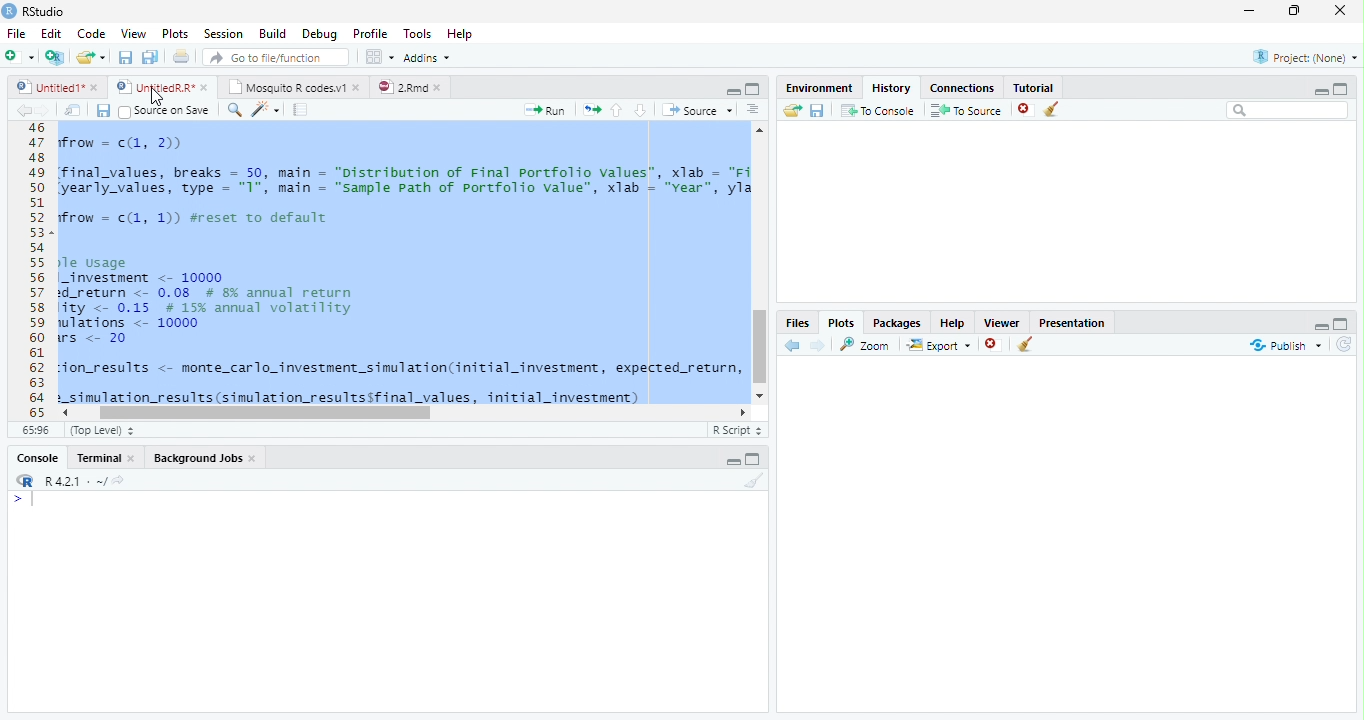 The width and height of the screenshot is (1364, 720). I want to click on Open new file, so click(19, 56).